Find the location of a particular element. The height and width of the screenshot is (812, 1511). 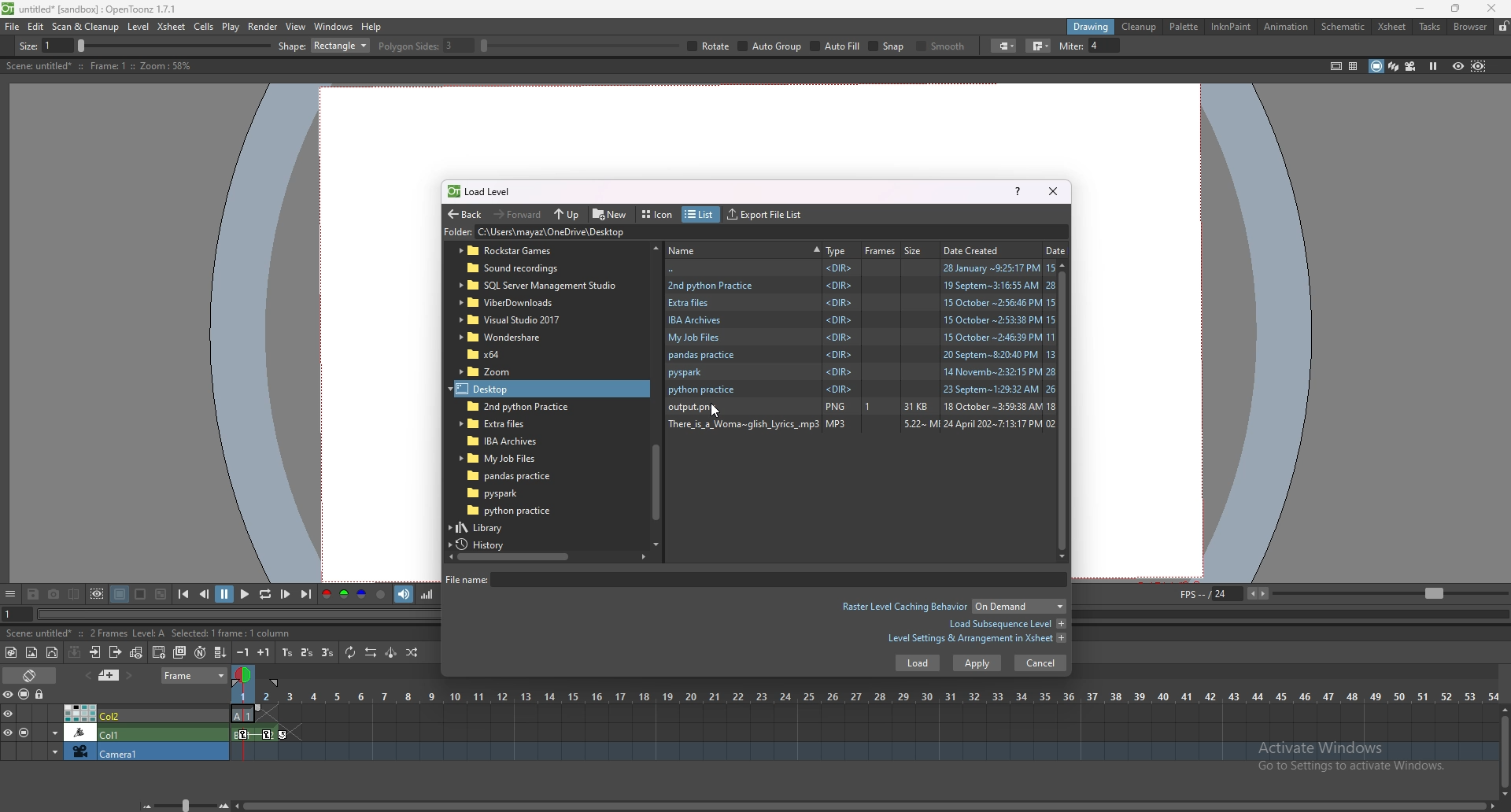

cap is located at coordinates (1278, 46).